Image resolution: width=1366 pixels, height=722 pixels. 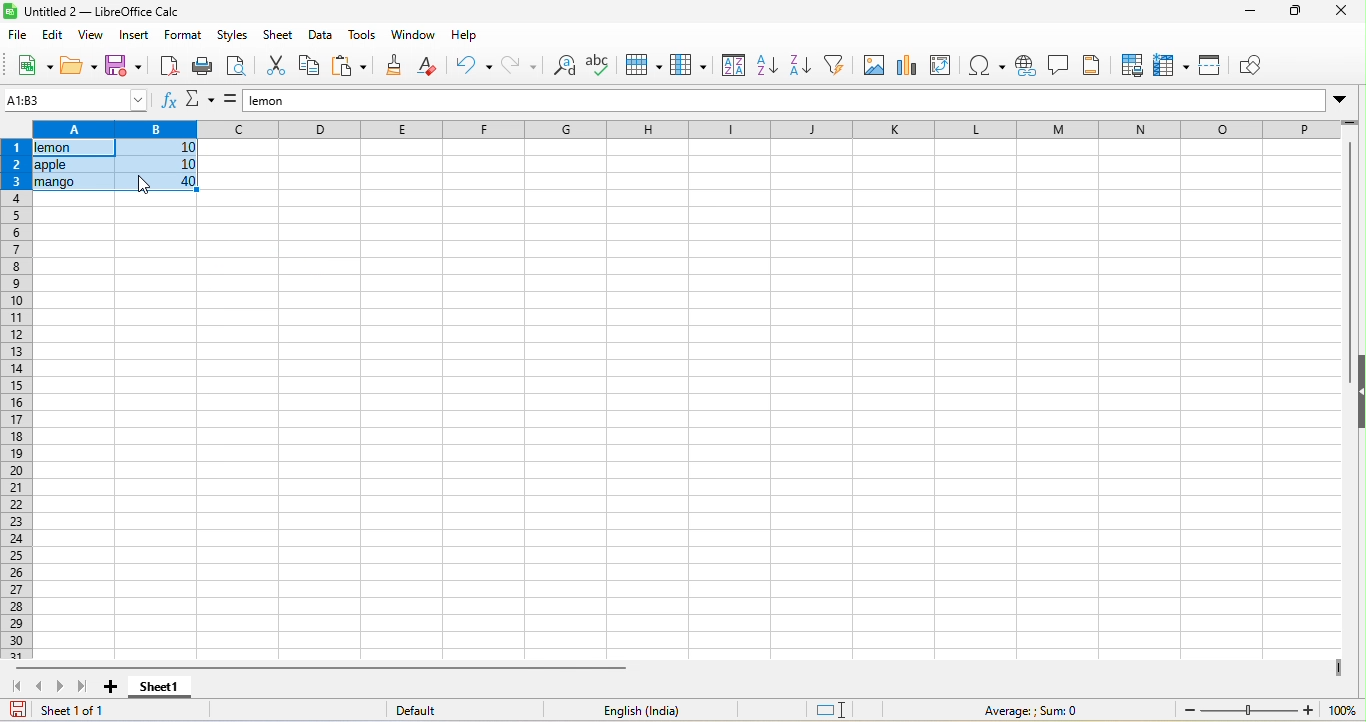 I want to click on rows, so click(x=16, y=399).